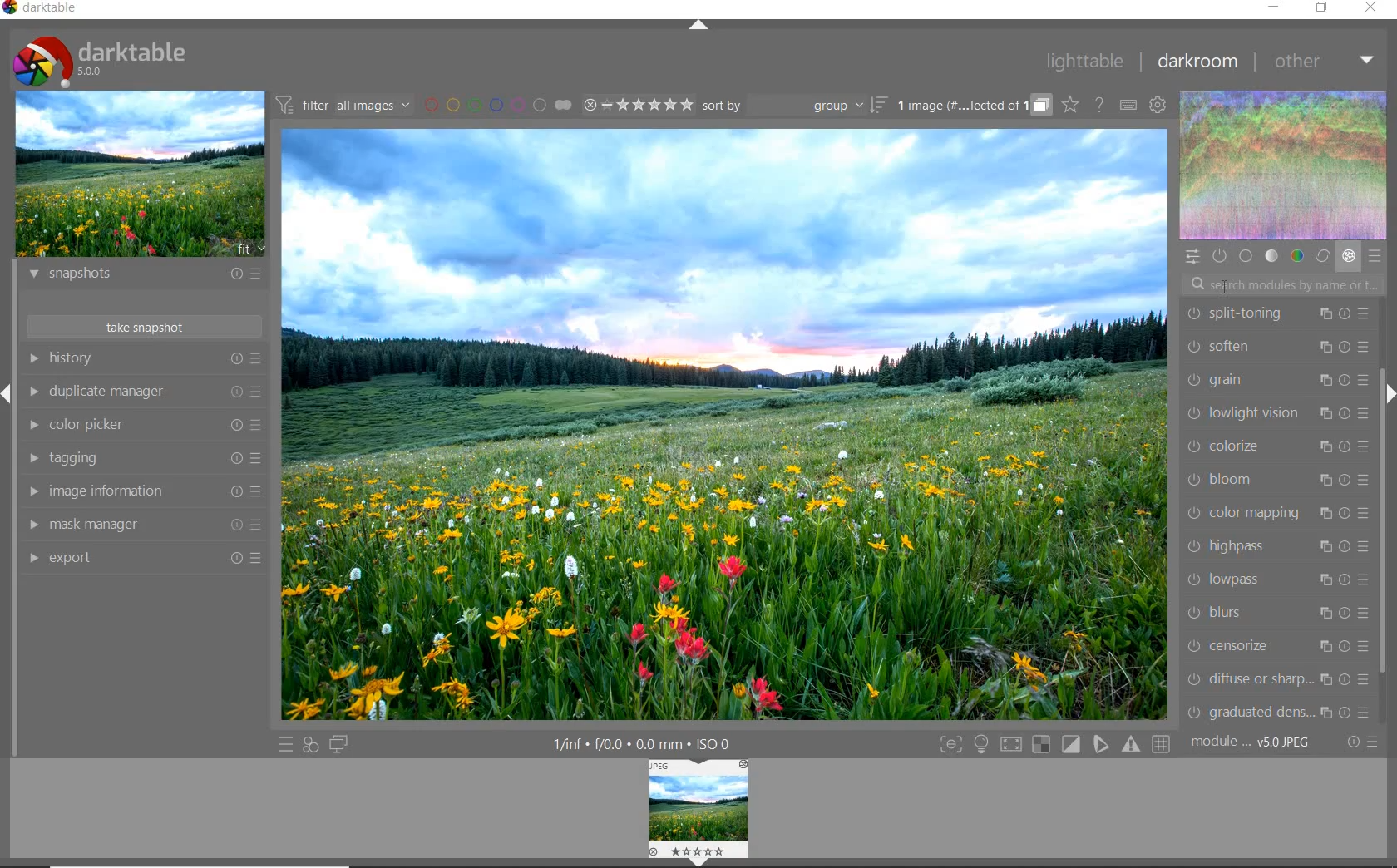  I want to click on close, so click(1372, 7).